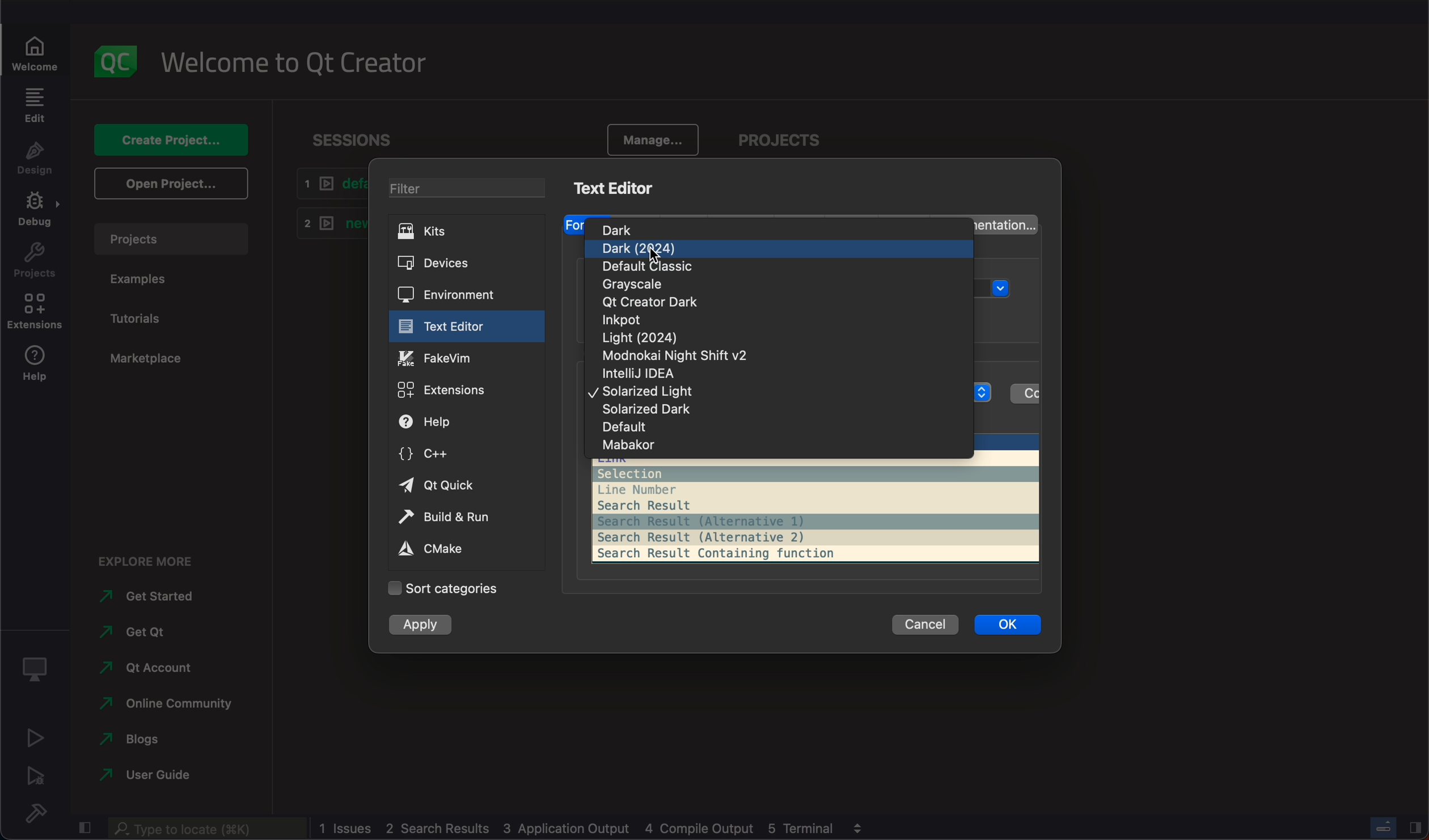 The height and width of the screenshot is (840, 1429). What do you see at coordinates (326, 226) in the screenshot?
I see `new1` at bounding box center [326, 226].